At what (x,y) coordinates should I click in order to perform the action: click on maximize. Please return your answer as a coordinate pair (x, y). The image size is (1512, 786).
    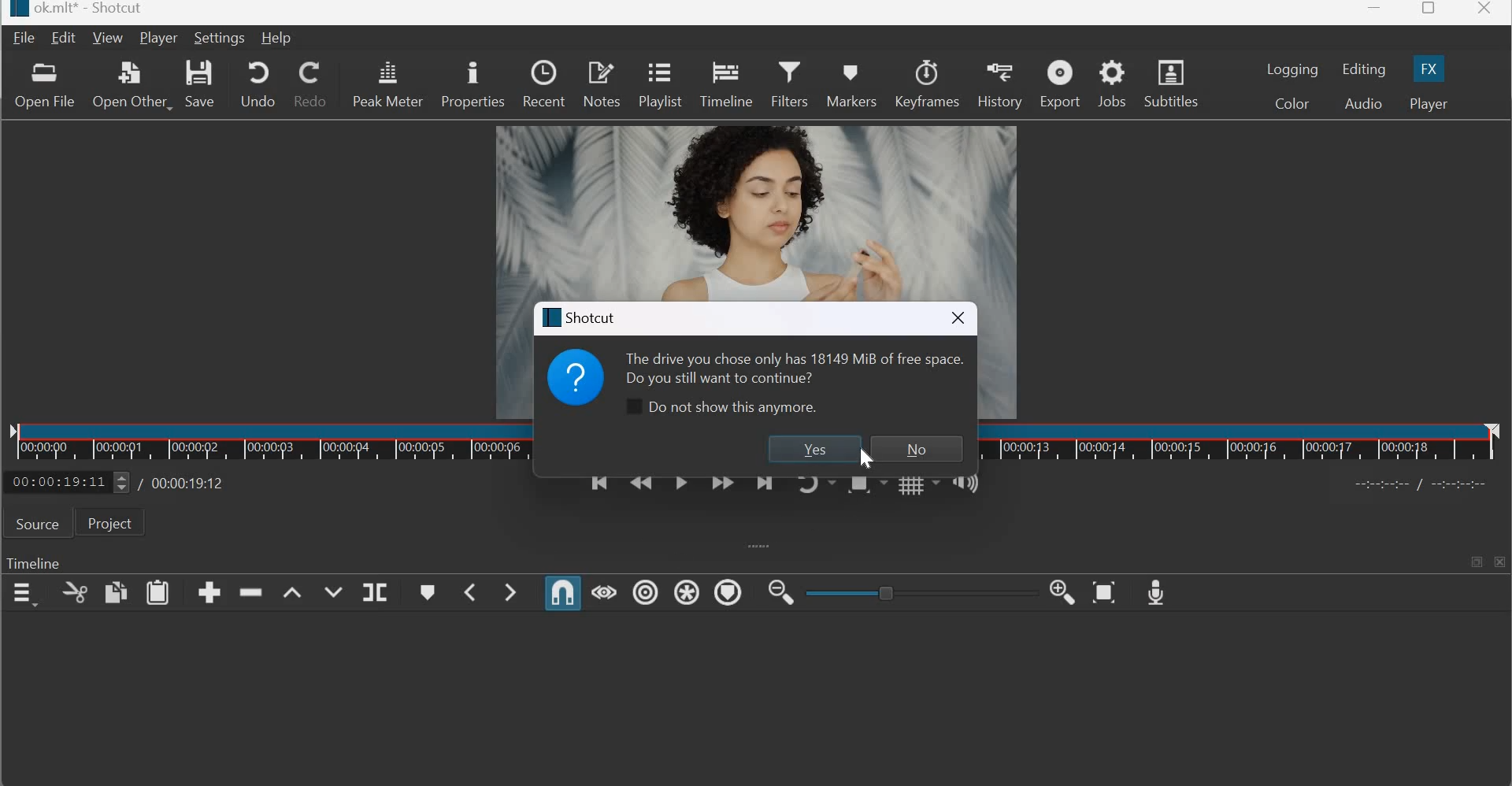
    Looking at the image, I should click on (1474, 560).